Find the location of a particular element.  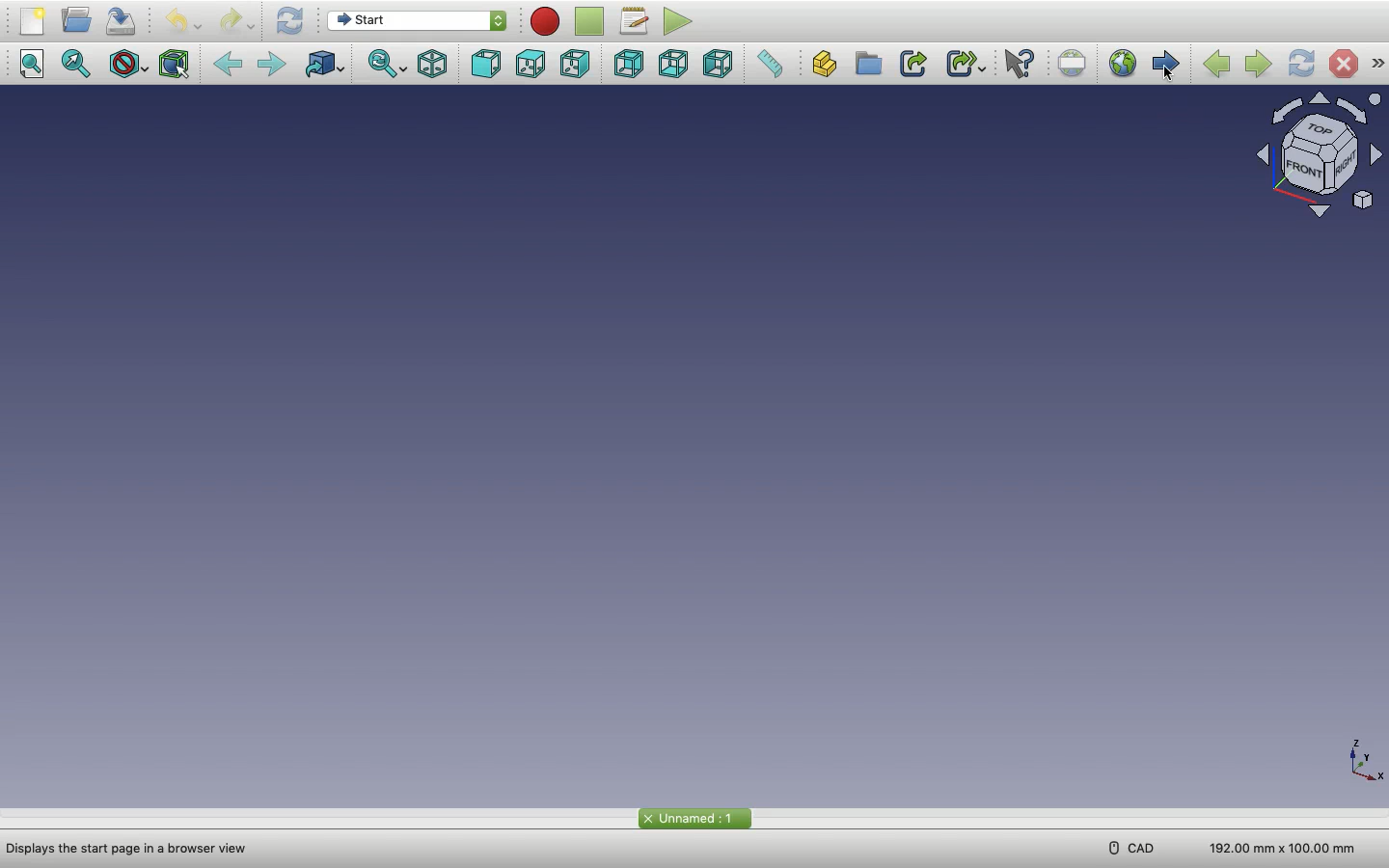

Previous page is located at coordinates (1217, 66).